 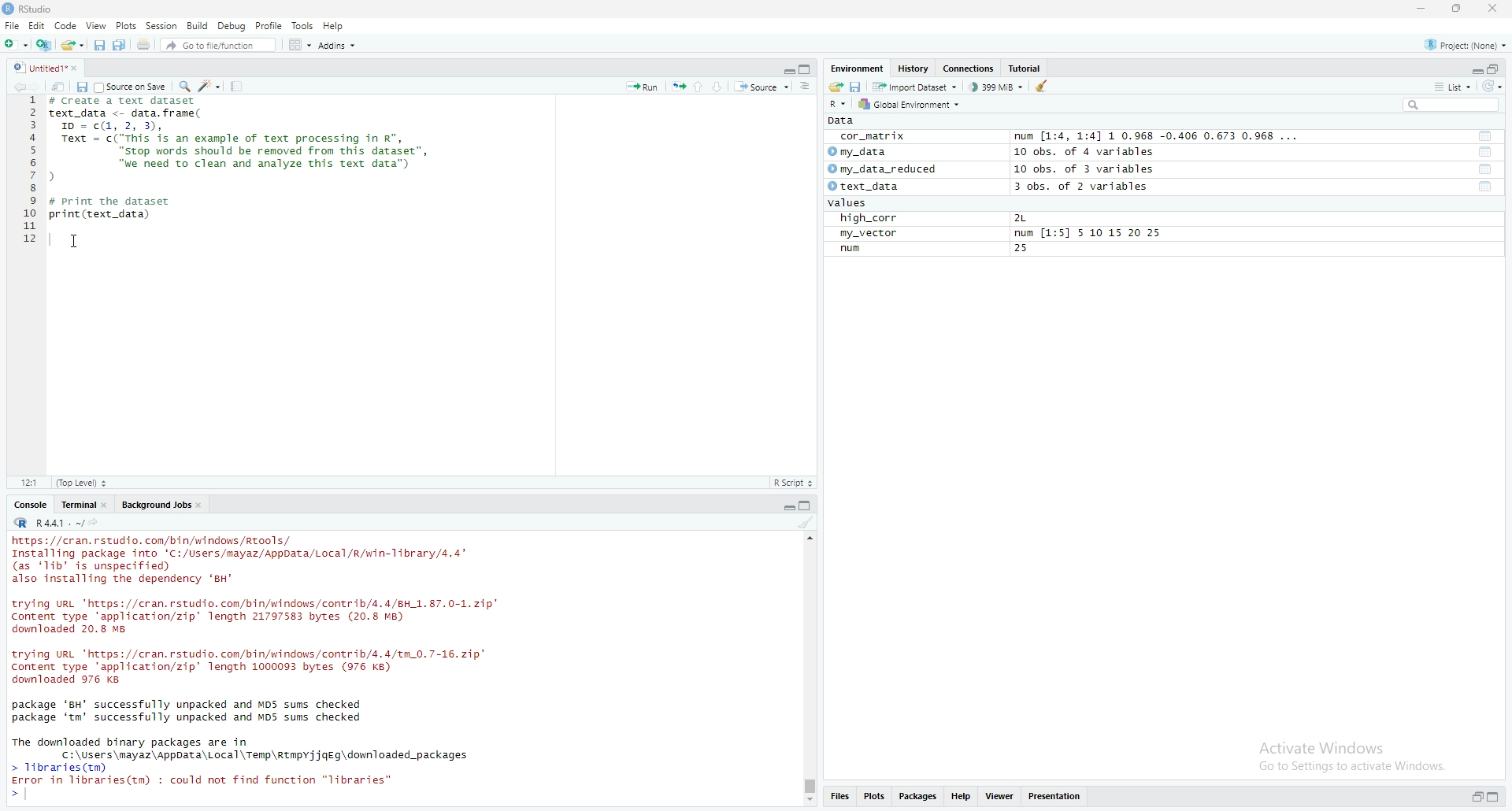 What do you see at coordinates (17, 87) in the screenshot?
I see `go backward` at bounding box center [17, 87].